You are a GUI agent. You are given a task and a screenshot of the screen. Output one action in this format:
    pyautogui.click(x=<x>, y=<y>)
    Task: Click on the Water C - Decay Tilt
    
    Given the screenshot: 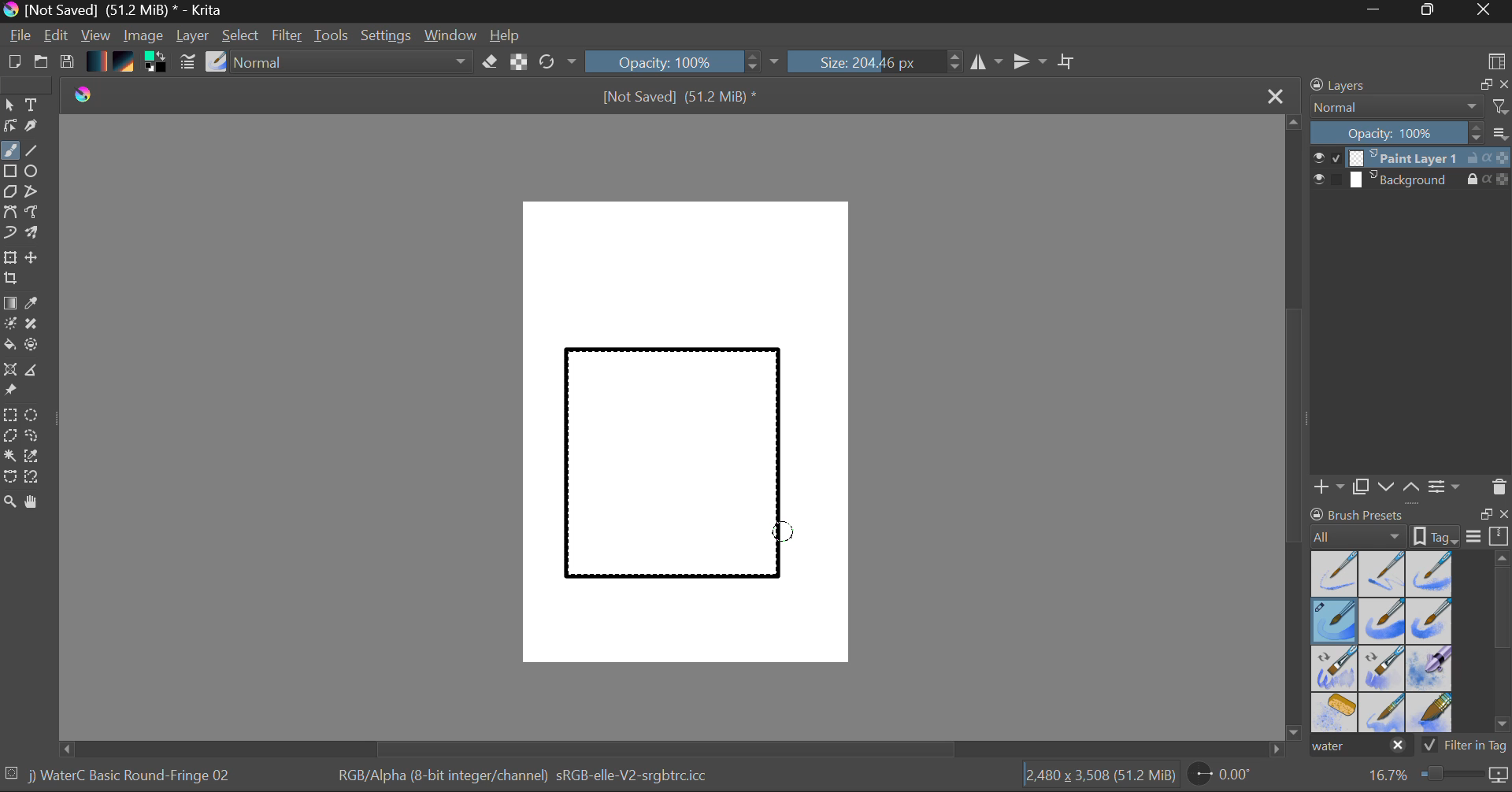 What is the action you would take?
    pyautogui.click(x=1382, y=667)
    